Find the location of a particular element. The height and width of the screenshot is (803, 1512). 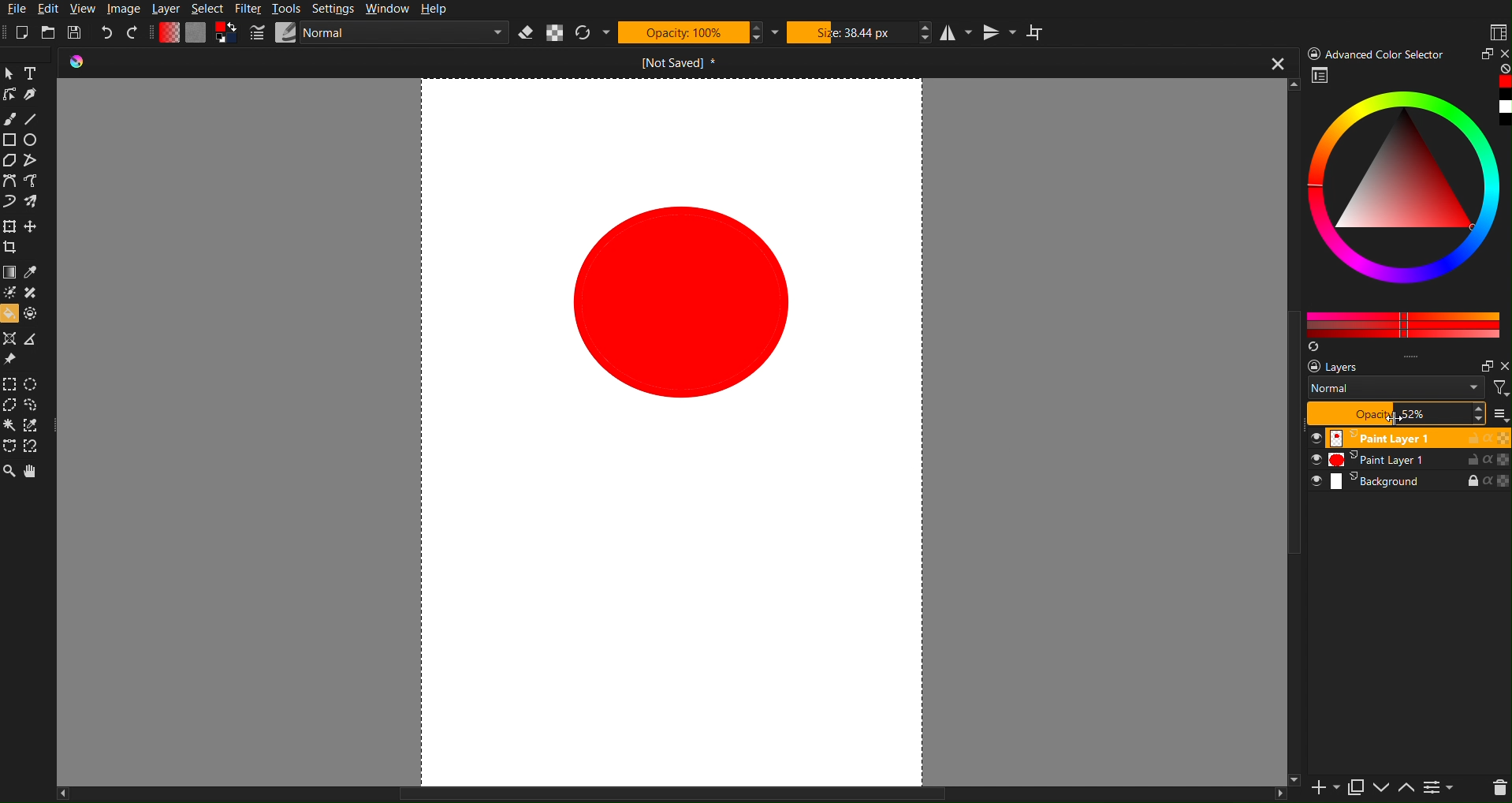

Add is located at coordinates (1324, 790).